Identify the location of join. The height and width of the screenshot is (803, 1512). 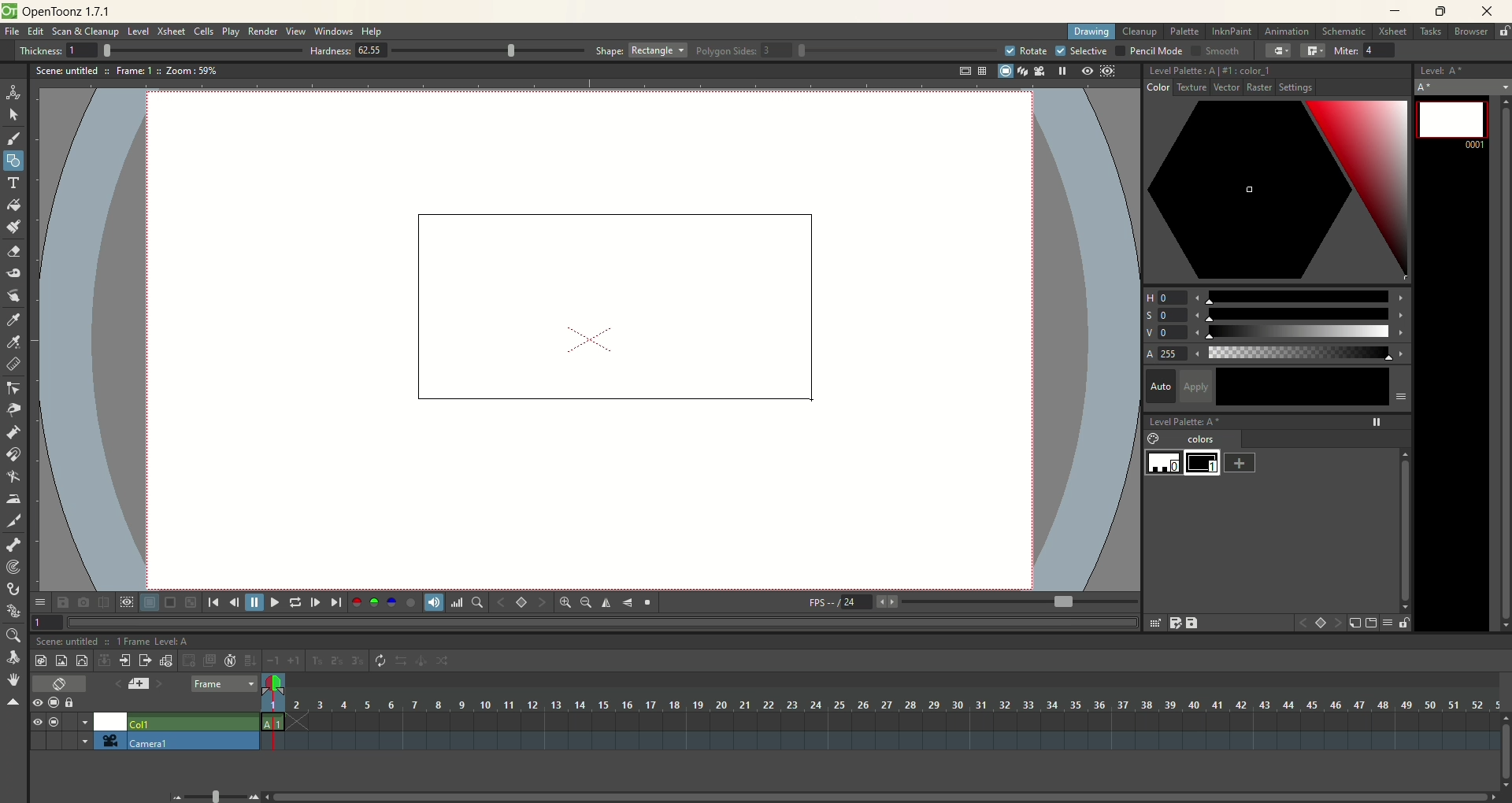
(1313, 51).